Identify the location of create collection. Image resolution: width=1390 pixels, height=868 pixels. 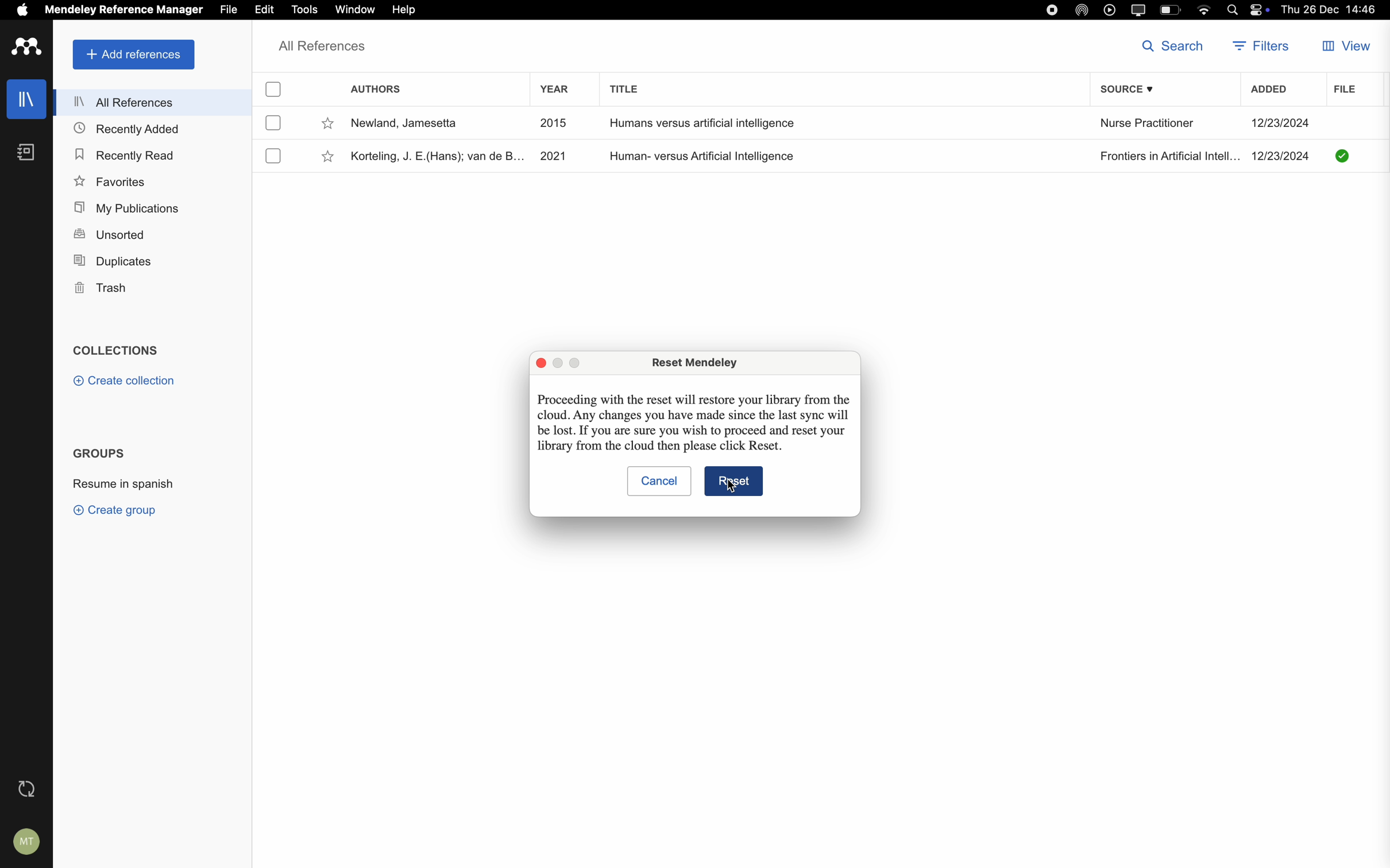
(122, 382).